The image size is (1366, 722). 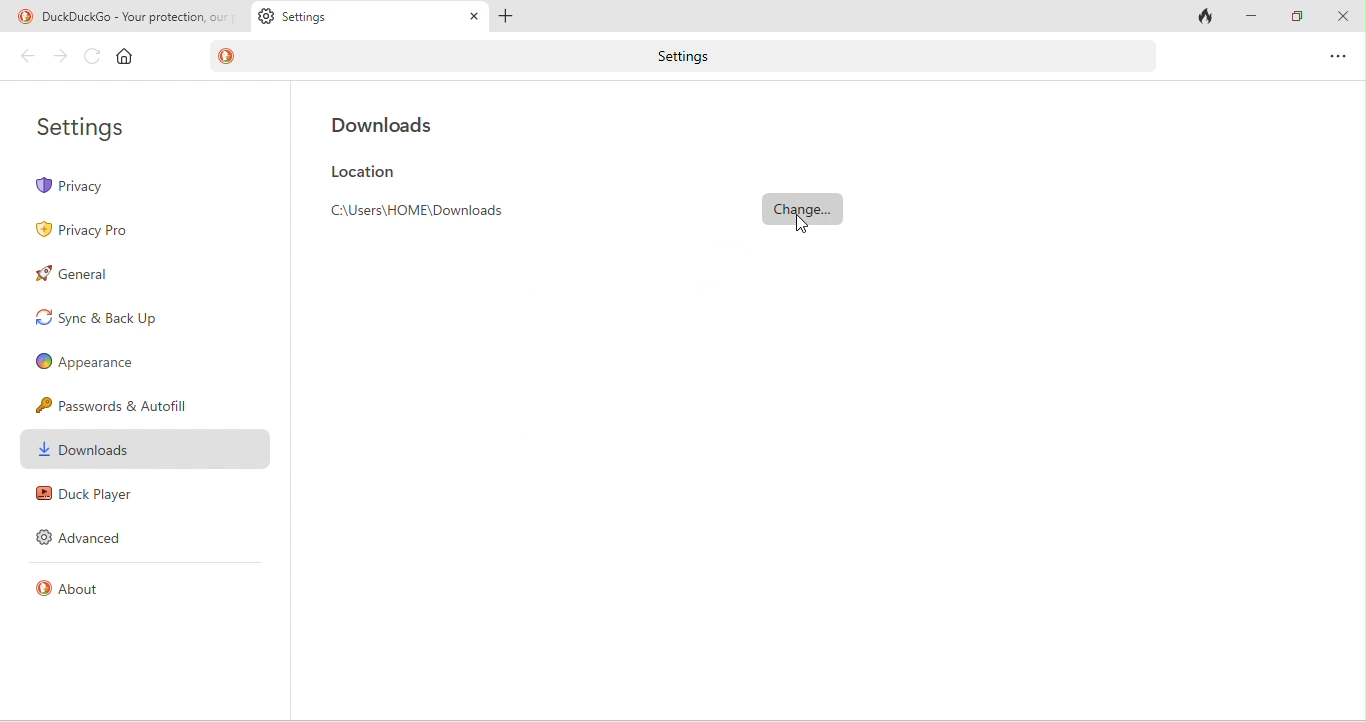 I want to click on DuckDUckGo logo, so click(x=231, y=55).